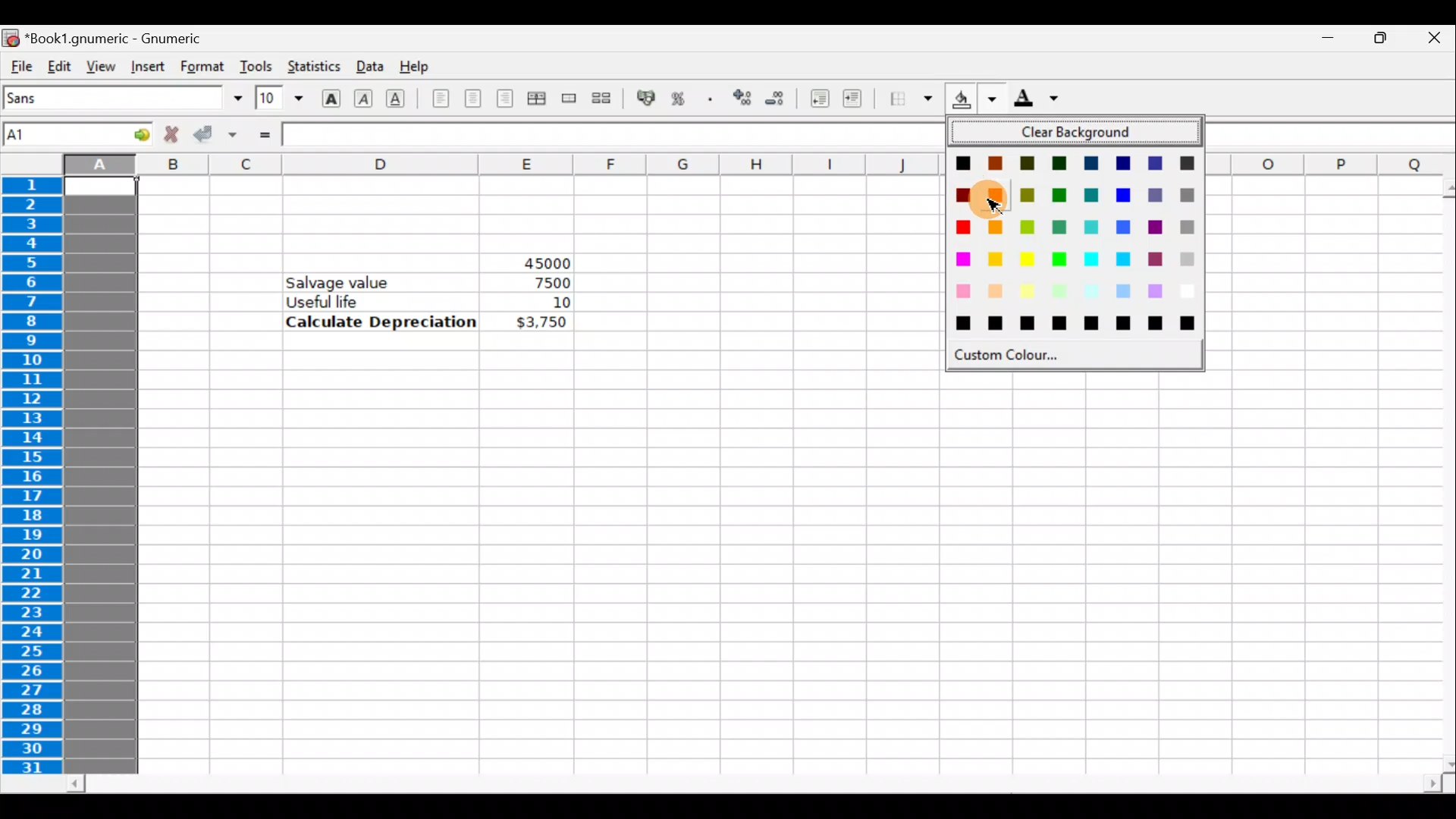  Describe the element at coordinates (1433, 40) in the screenshot. I see `Close` at that location.